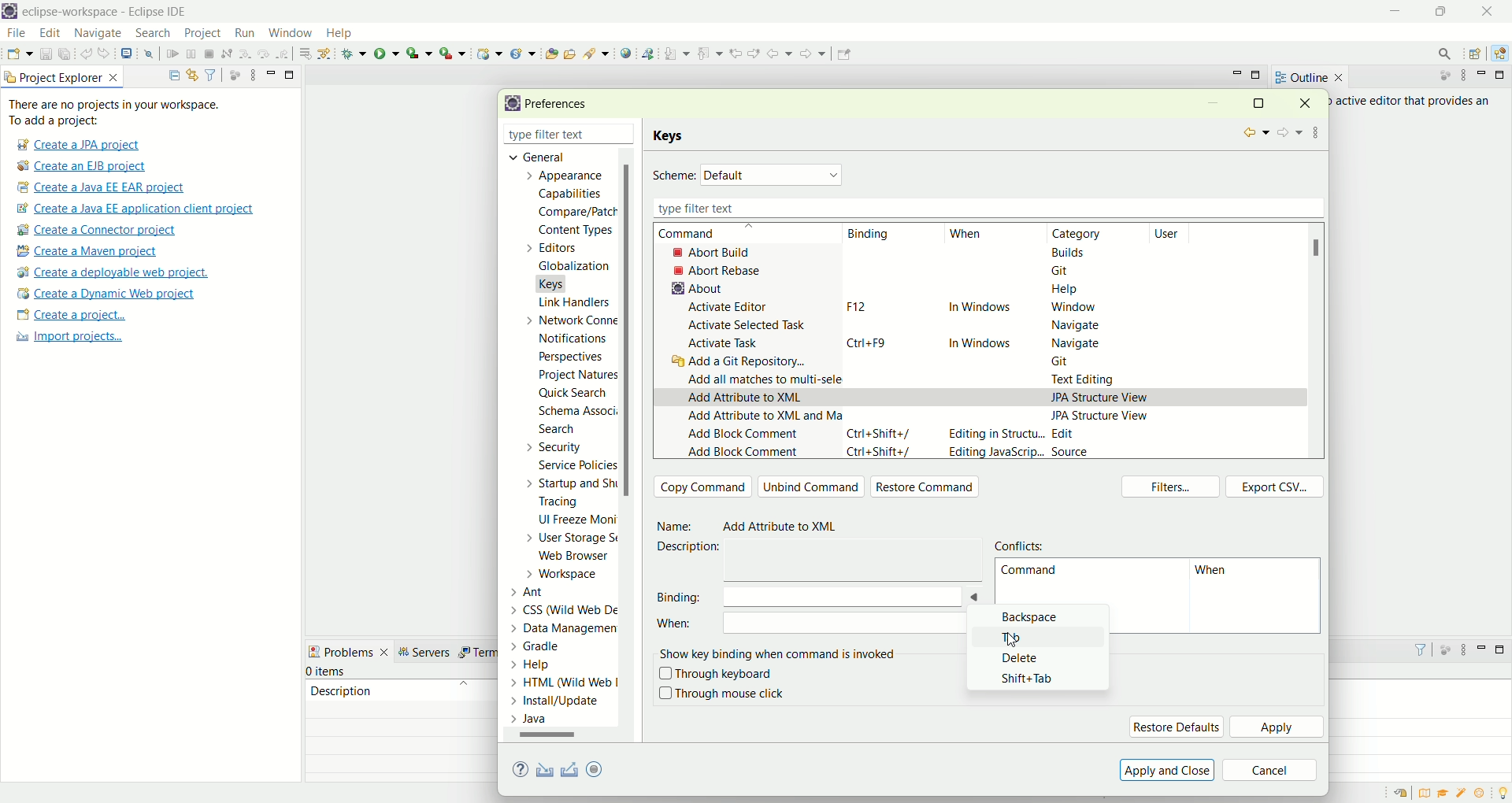 This screenshot has height=803, width=1512. What do you see at coordinates (1414, 649) in the screenshot?
I see `filter` at bounding box center [1414, 649].